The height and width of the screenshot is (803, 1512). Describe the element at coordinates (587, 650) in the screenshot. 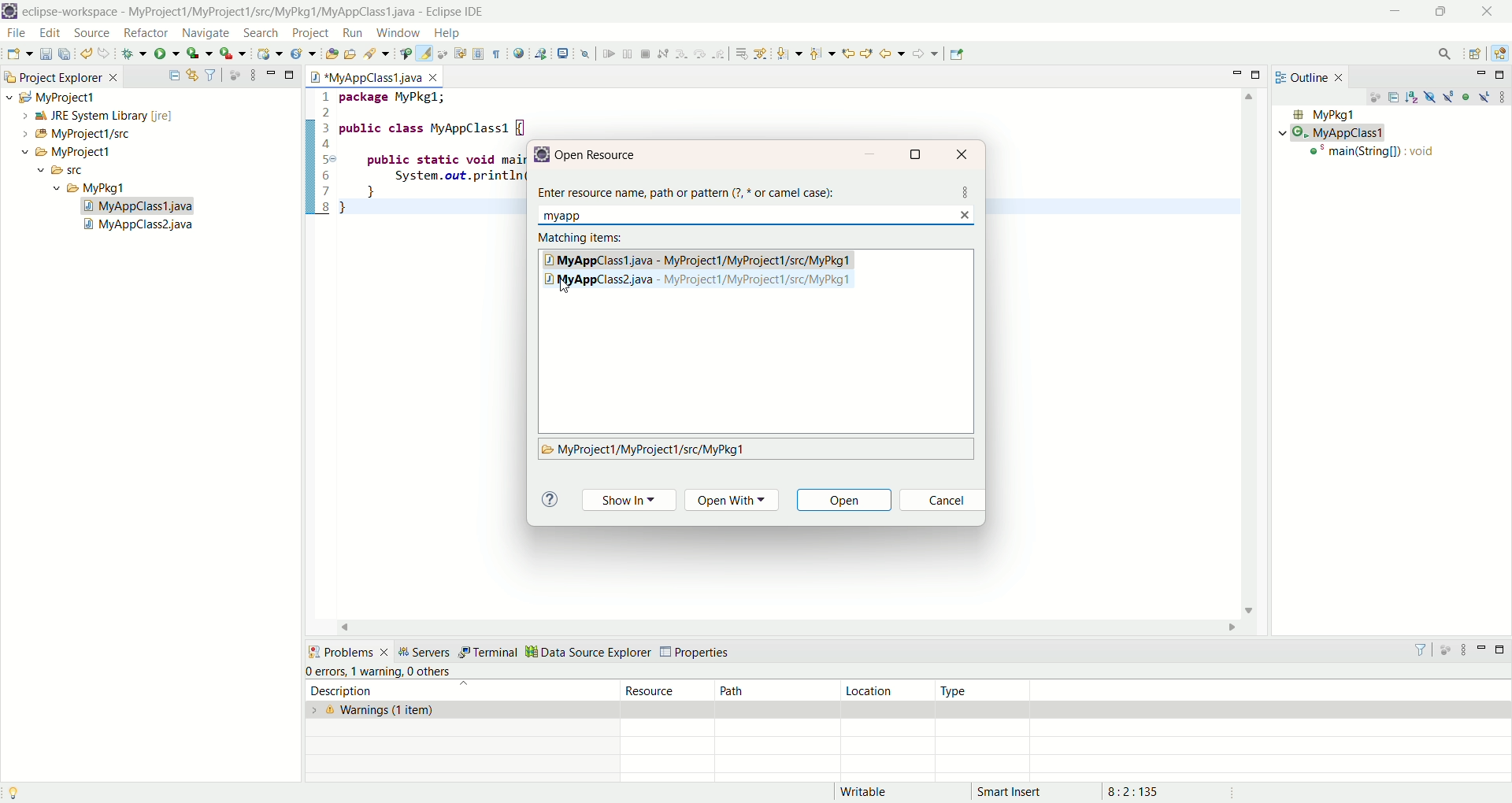

I see `data source explorer` at that location.